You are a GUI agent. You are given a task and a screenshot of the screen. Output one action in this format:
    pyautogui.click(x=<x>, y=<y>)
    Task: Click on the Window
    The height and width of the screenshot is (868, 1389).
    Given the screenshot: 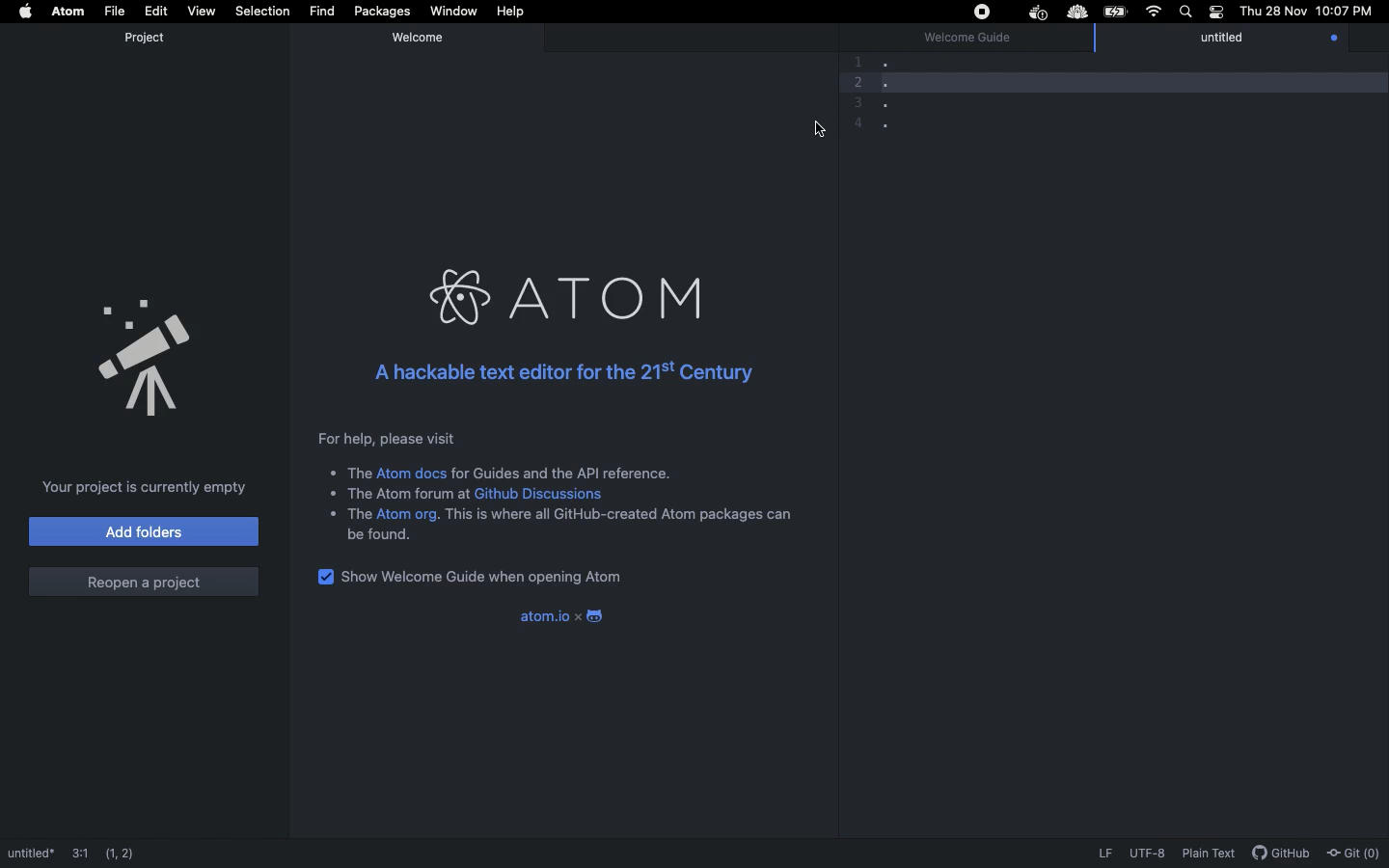 What is the action you would take?
    pyautogui.click(x=452, y=13)
    